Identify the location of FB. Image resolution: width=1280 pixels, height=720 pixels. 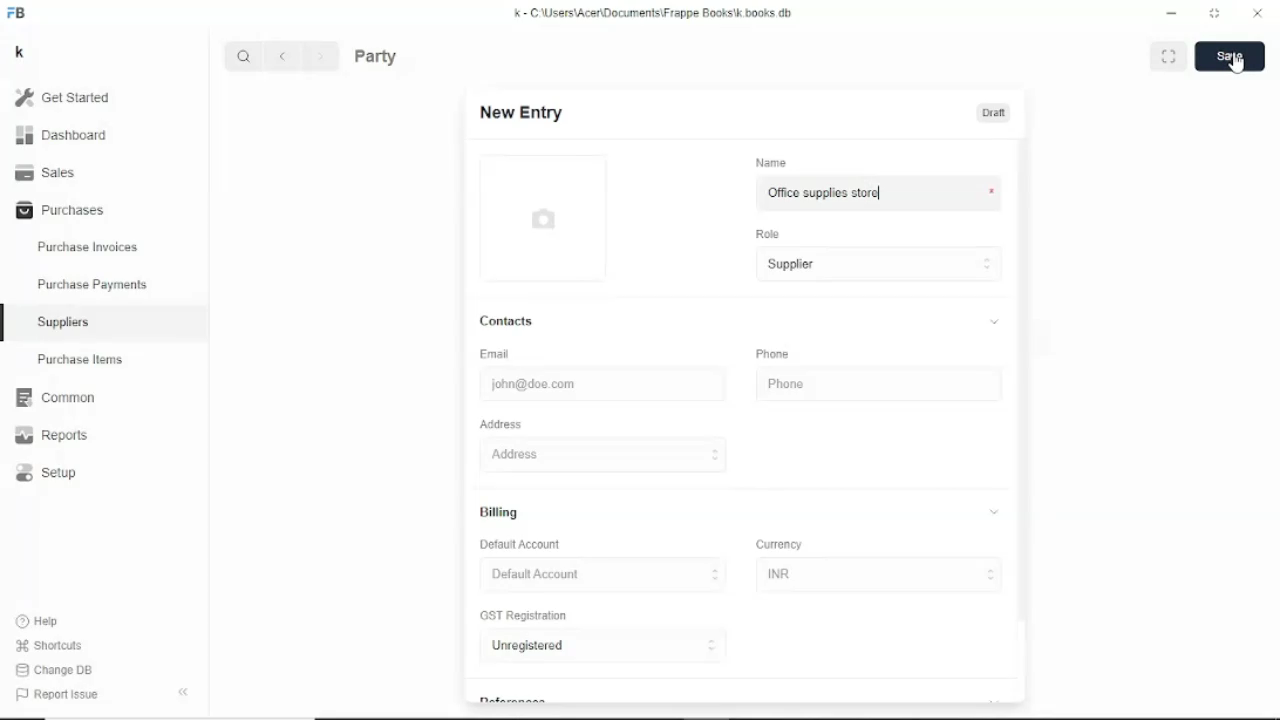
(18, 12).